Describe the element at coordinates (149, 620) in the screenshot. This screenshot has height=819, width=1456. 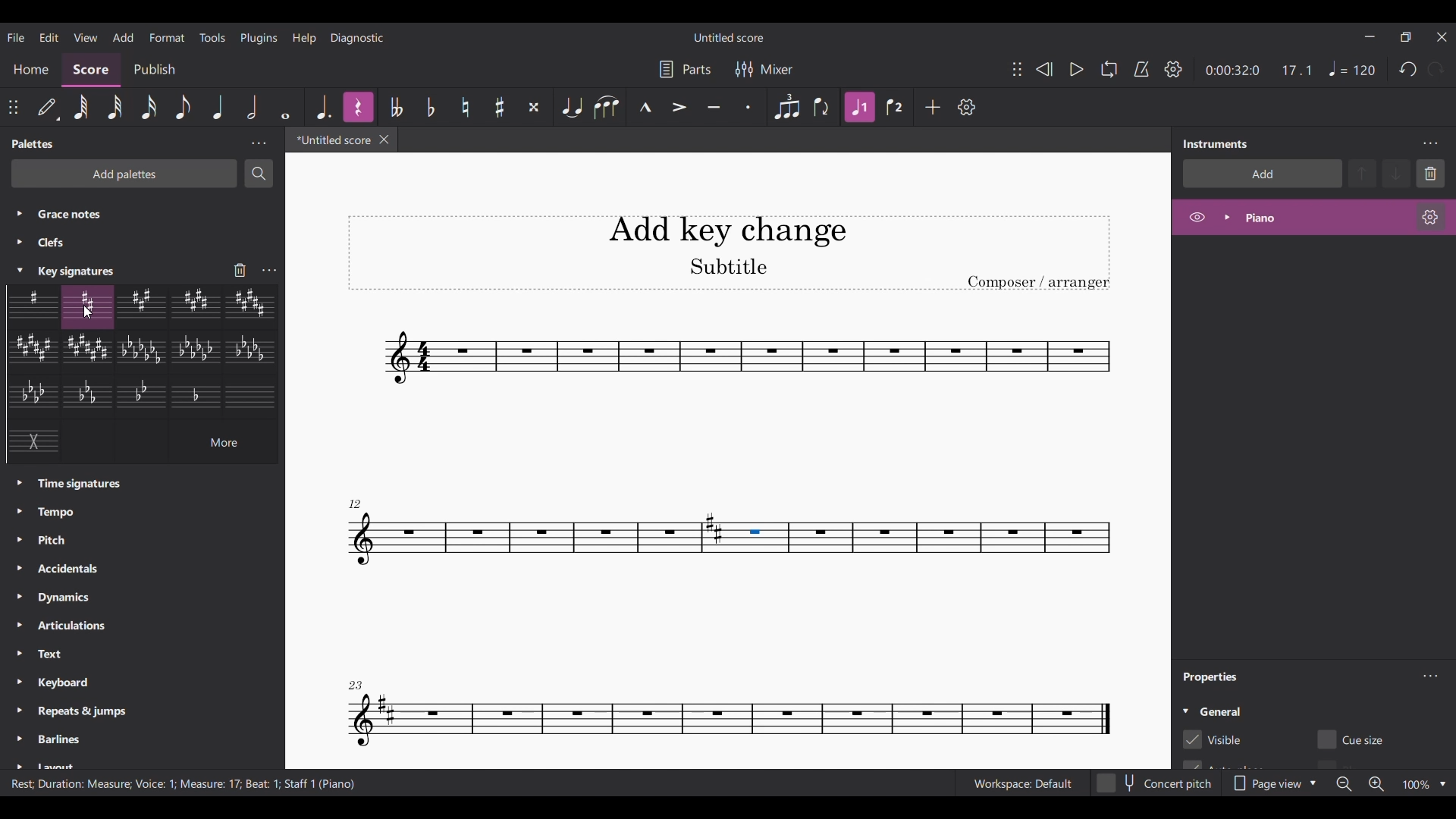
I see `Palettes listed under all Palettes` at that location.